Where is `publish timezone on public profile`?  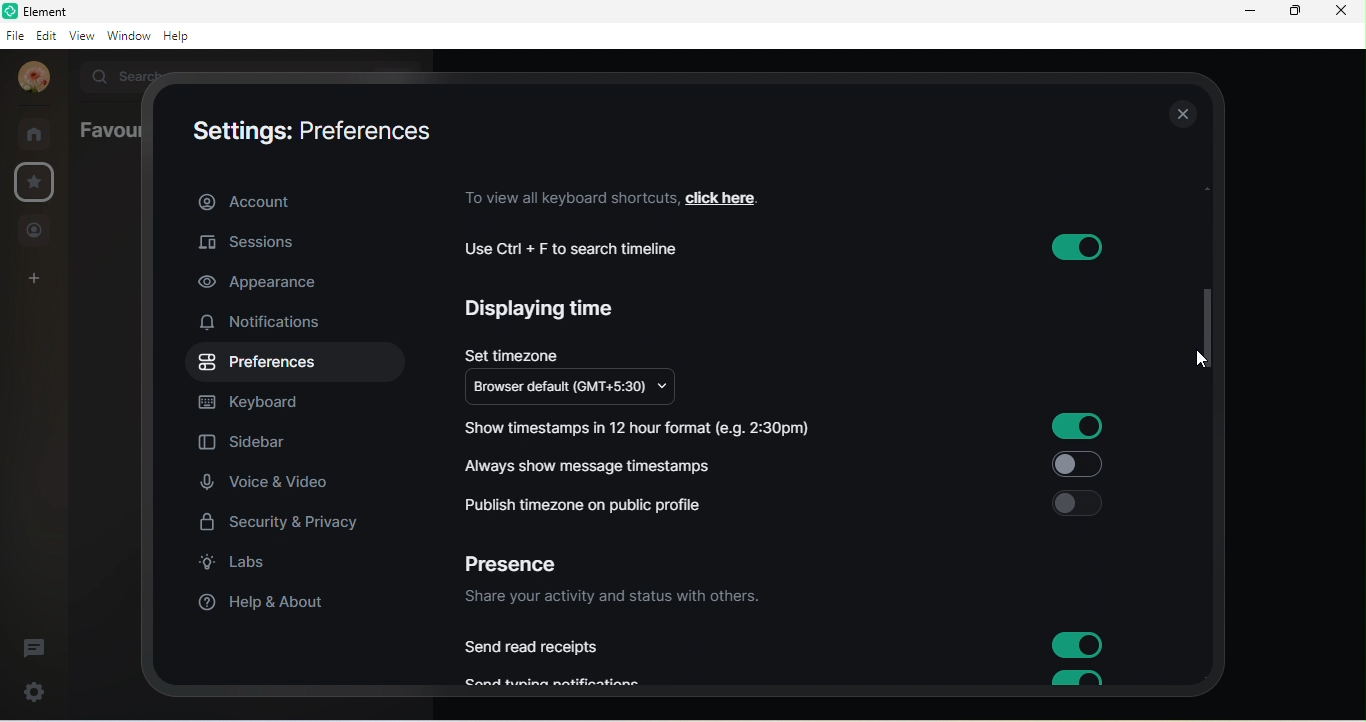 publish timezone on public profile is located at coordinates (592, 505).